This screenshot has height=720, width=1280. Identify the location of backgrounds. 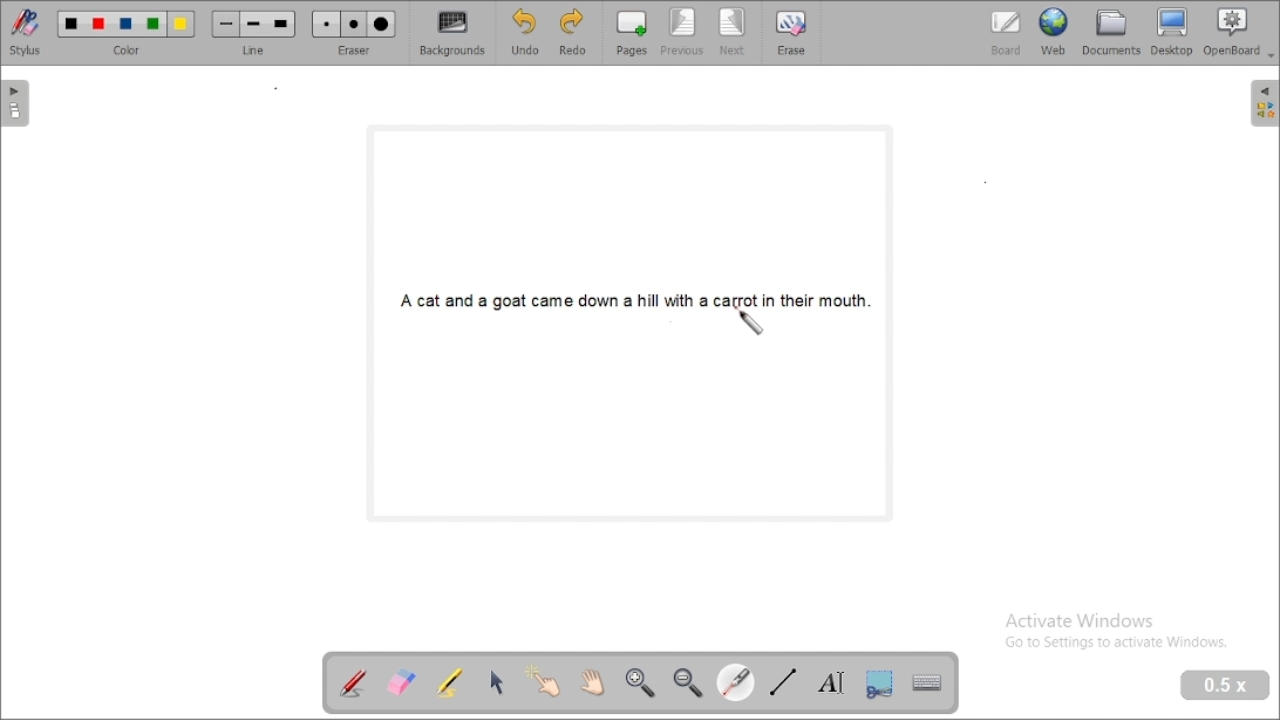
(454, 33).